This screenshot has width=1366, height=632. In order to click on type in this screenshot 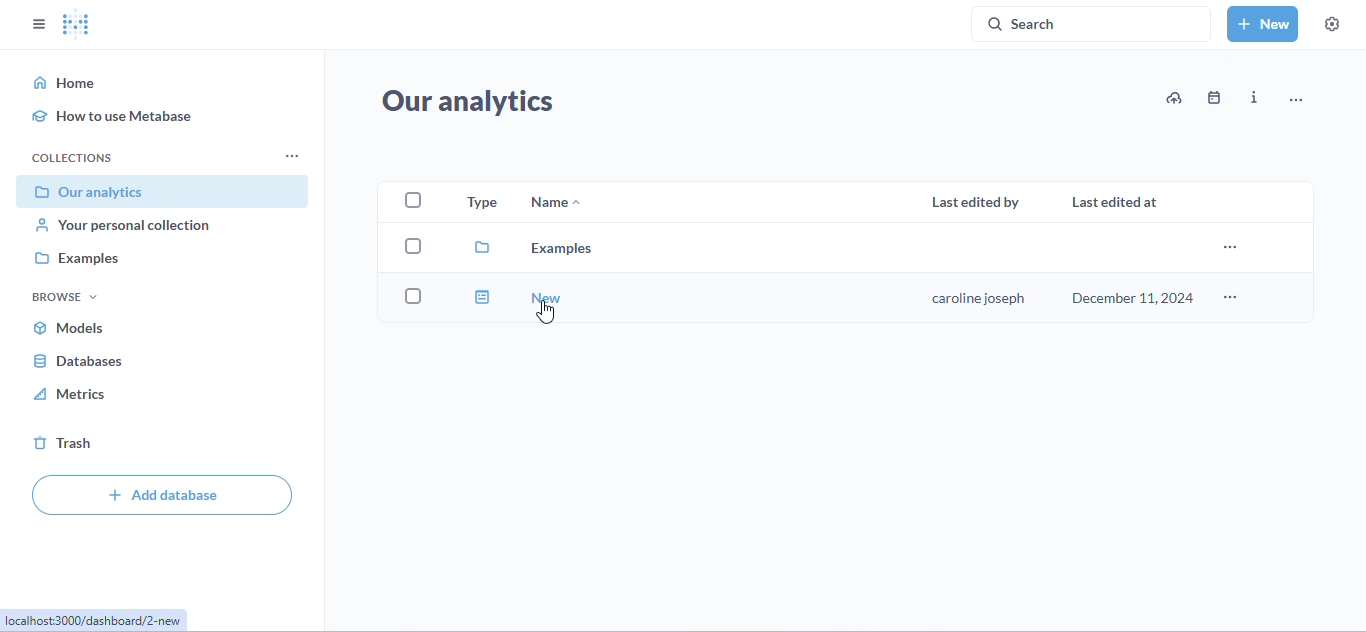, I will do `click(484, 203)`.